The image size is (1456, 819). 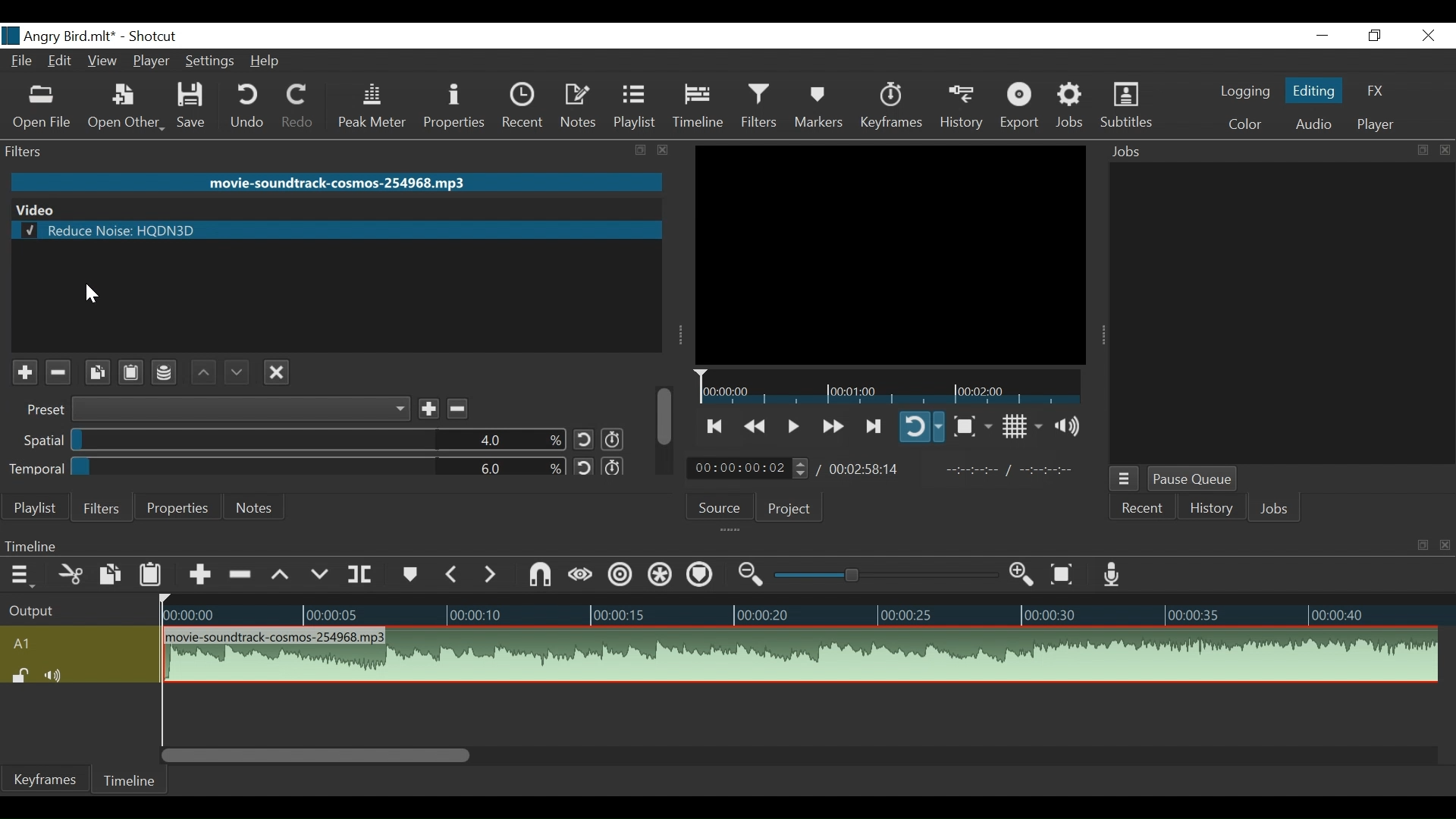 What do you see at coordinates (874, 425) in the screenshot?
I see `Play forward quickly` at bounding box center [874, 425].